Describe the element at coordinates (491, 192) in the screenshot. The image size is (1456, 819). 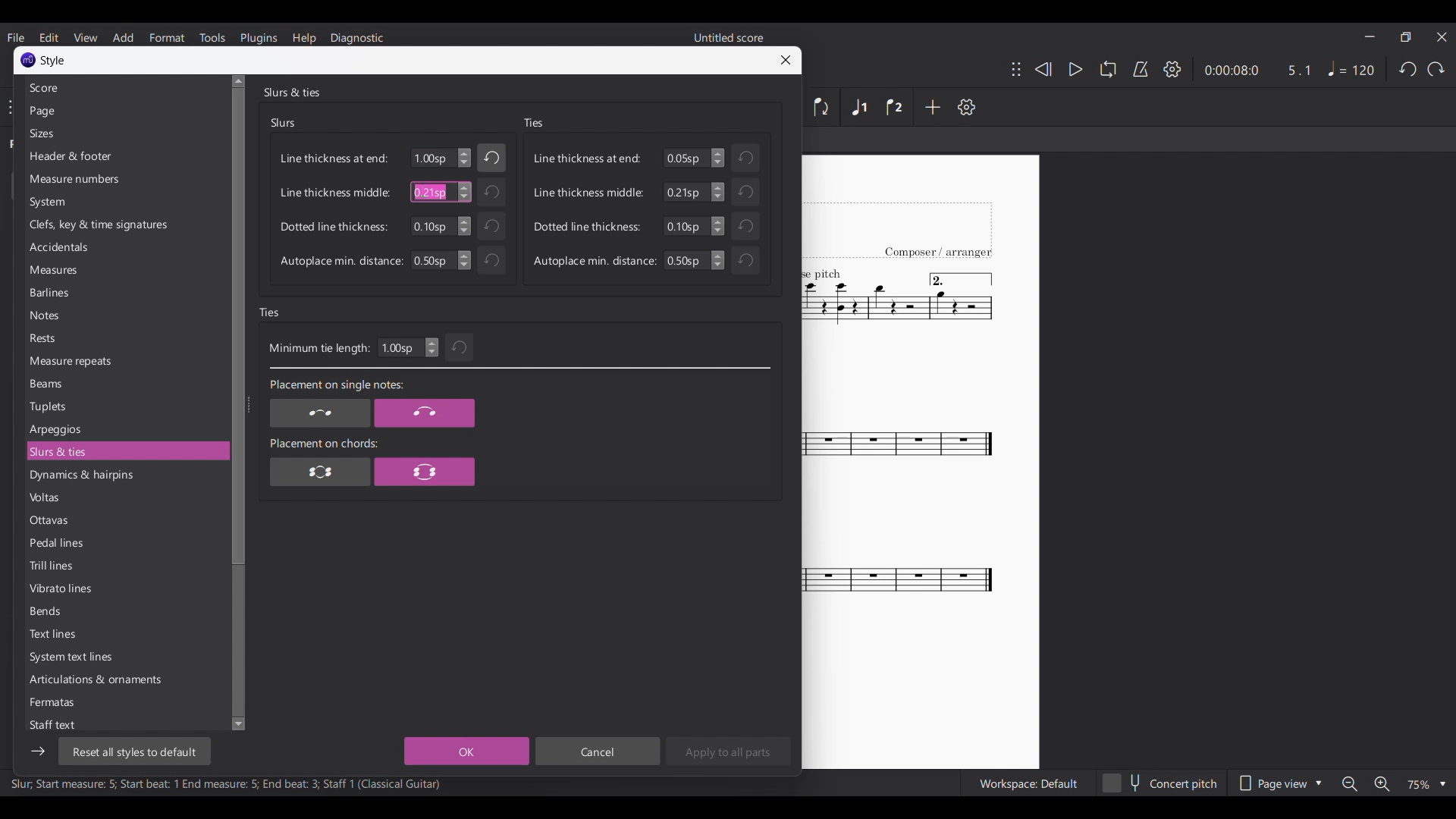
I see `Undo` at that location.